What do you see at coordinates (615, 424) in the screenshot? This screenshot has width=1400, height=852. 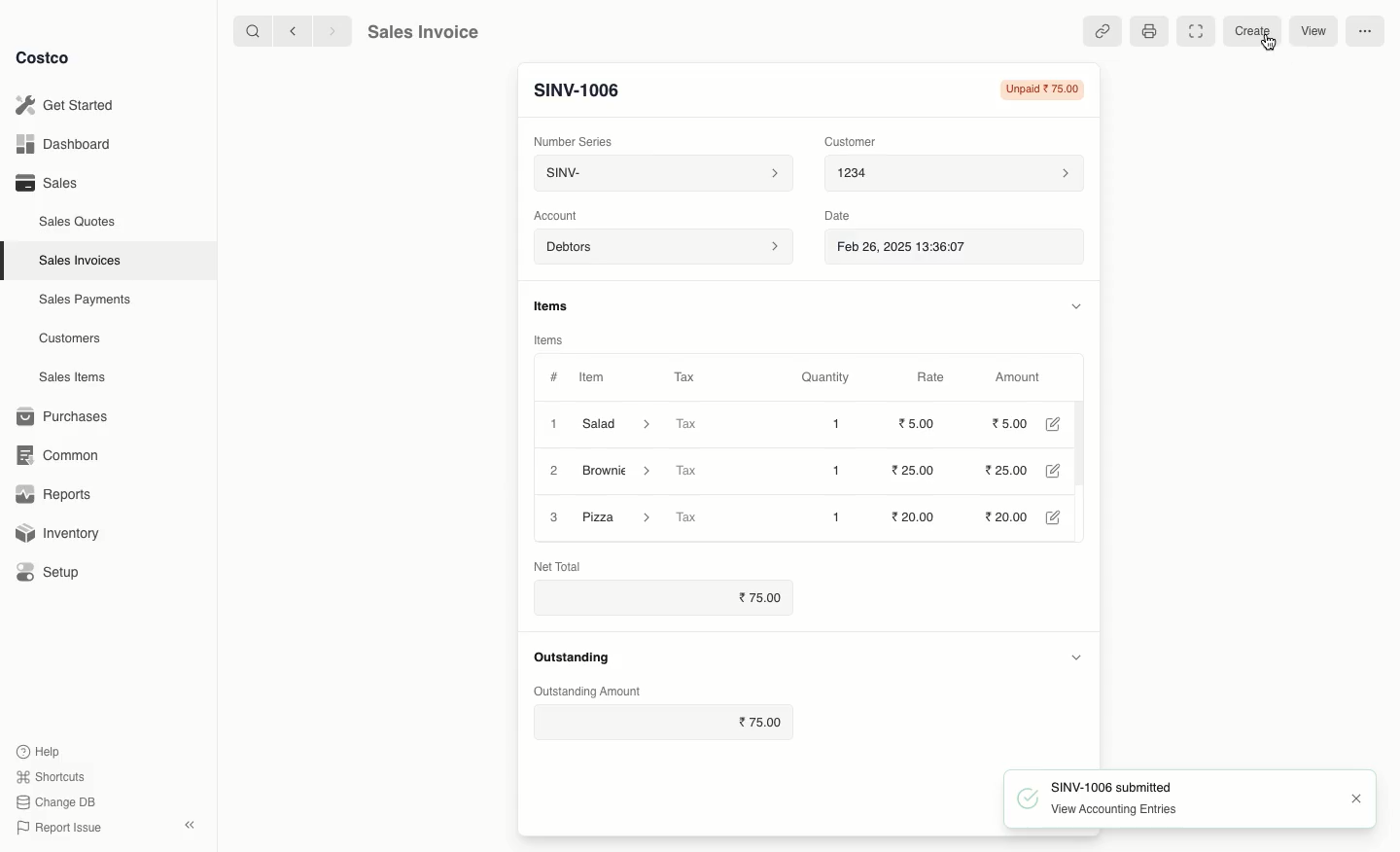 I see `Salad` at bounding box center [615, 424].